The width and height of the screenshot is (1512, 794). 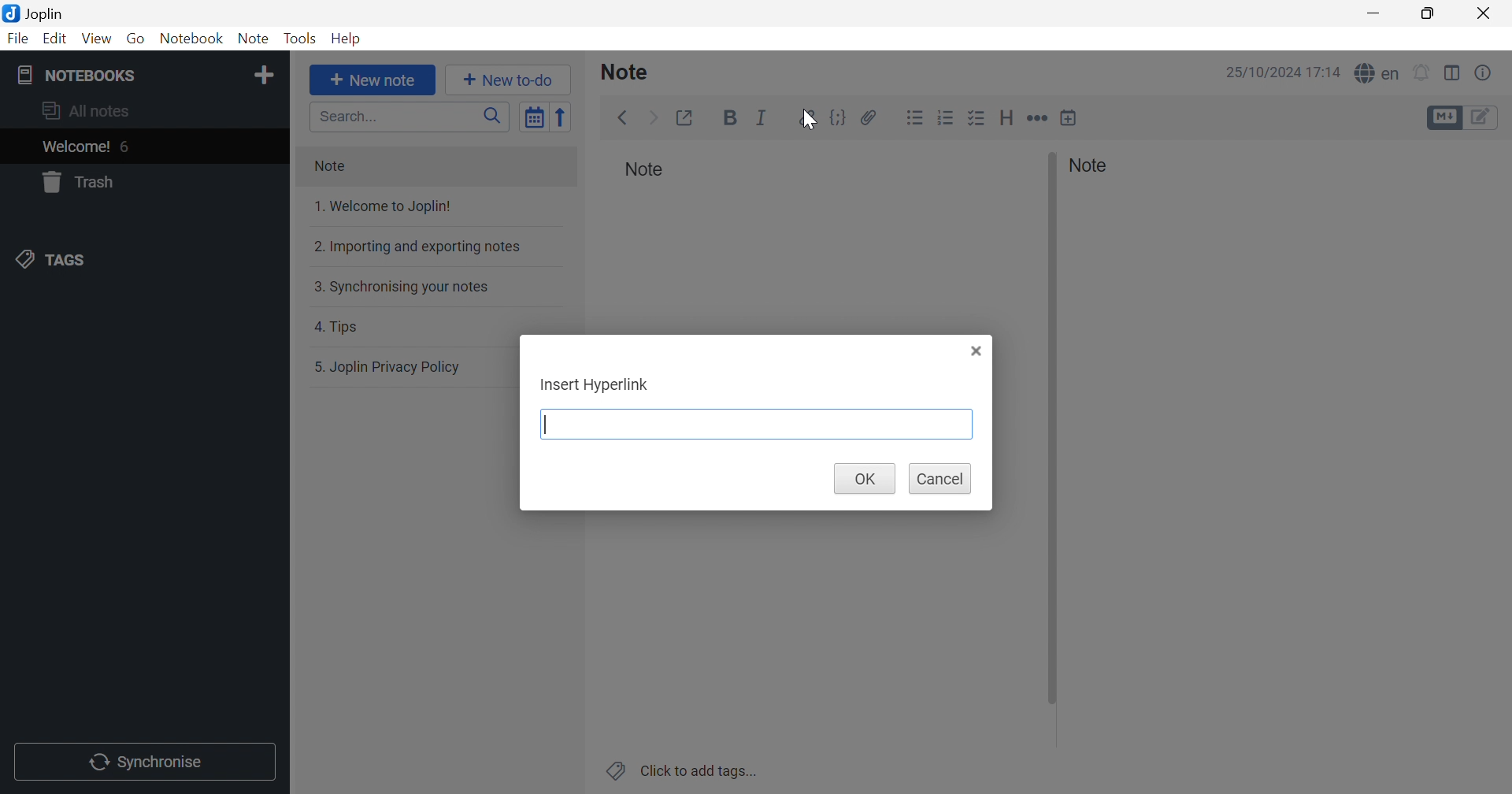 I want to click on Go, so click(x=138, y=39).